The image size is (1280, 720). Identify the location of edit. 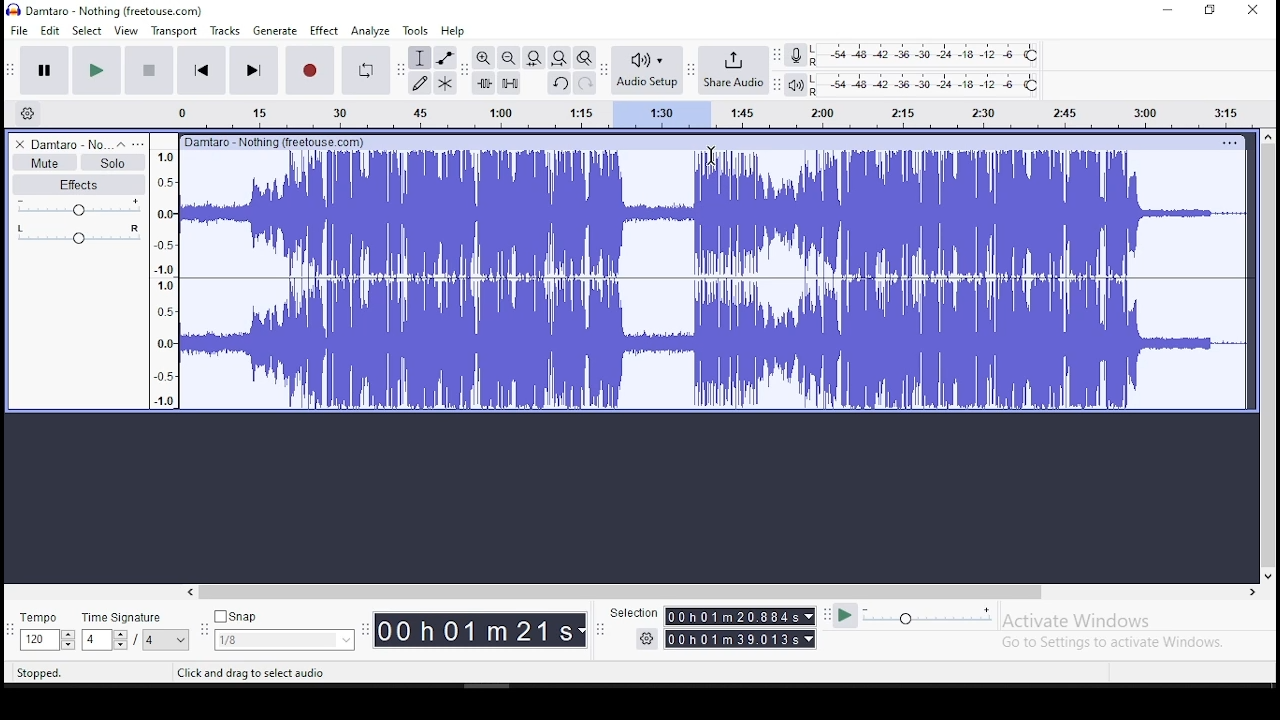
(51, 31).